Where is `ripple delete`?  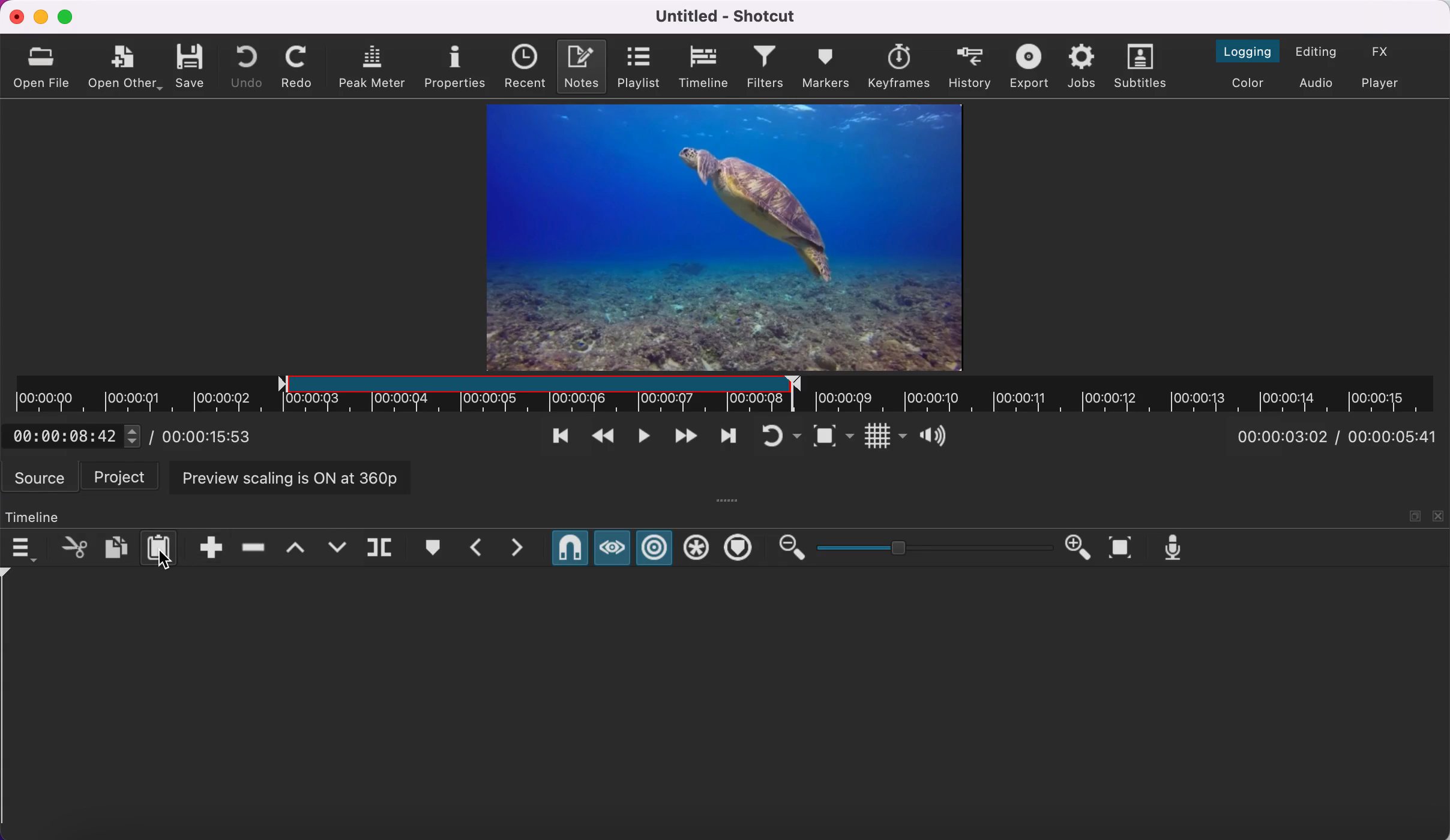
ripple delete is located at coordinates (252, 548).